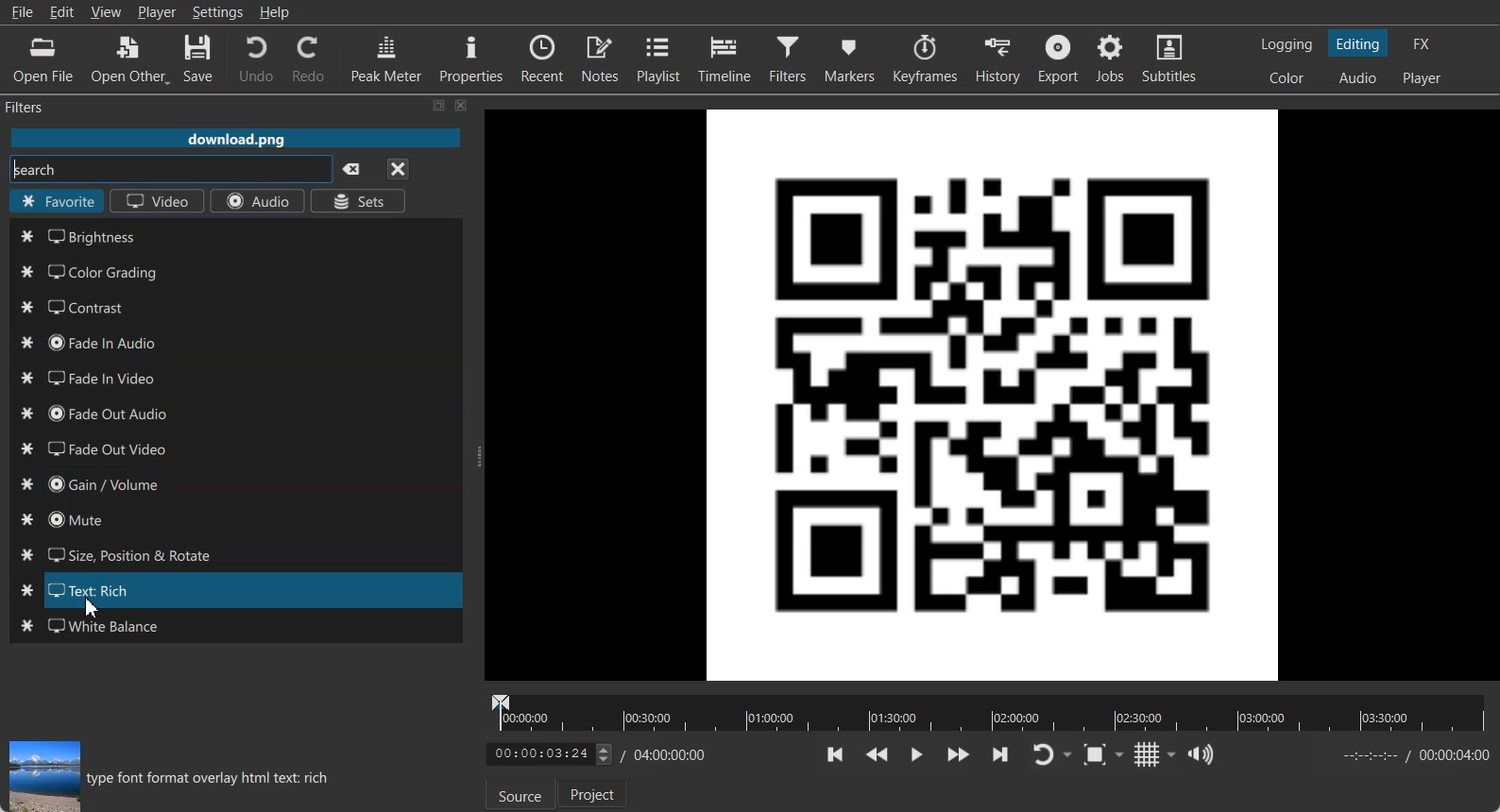 This screenshot has width=1500, height=812. Describe the element at coordinates (725, 58) in the screenshot. I see `Timeline` at that location.